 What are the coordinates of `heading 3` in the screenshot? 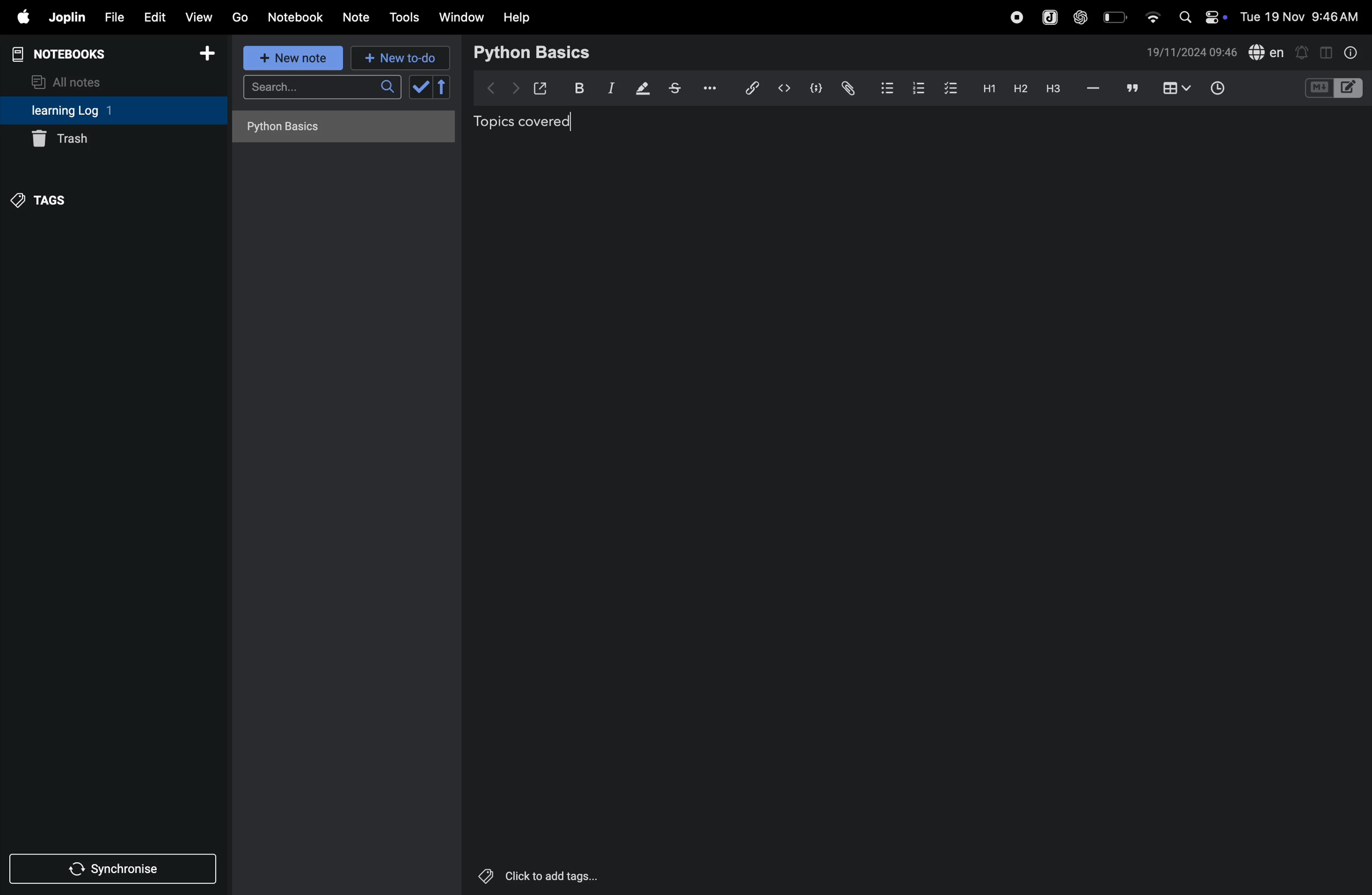 It's located at (1053, 89).